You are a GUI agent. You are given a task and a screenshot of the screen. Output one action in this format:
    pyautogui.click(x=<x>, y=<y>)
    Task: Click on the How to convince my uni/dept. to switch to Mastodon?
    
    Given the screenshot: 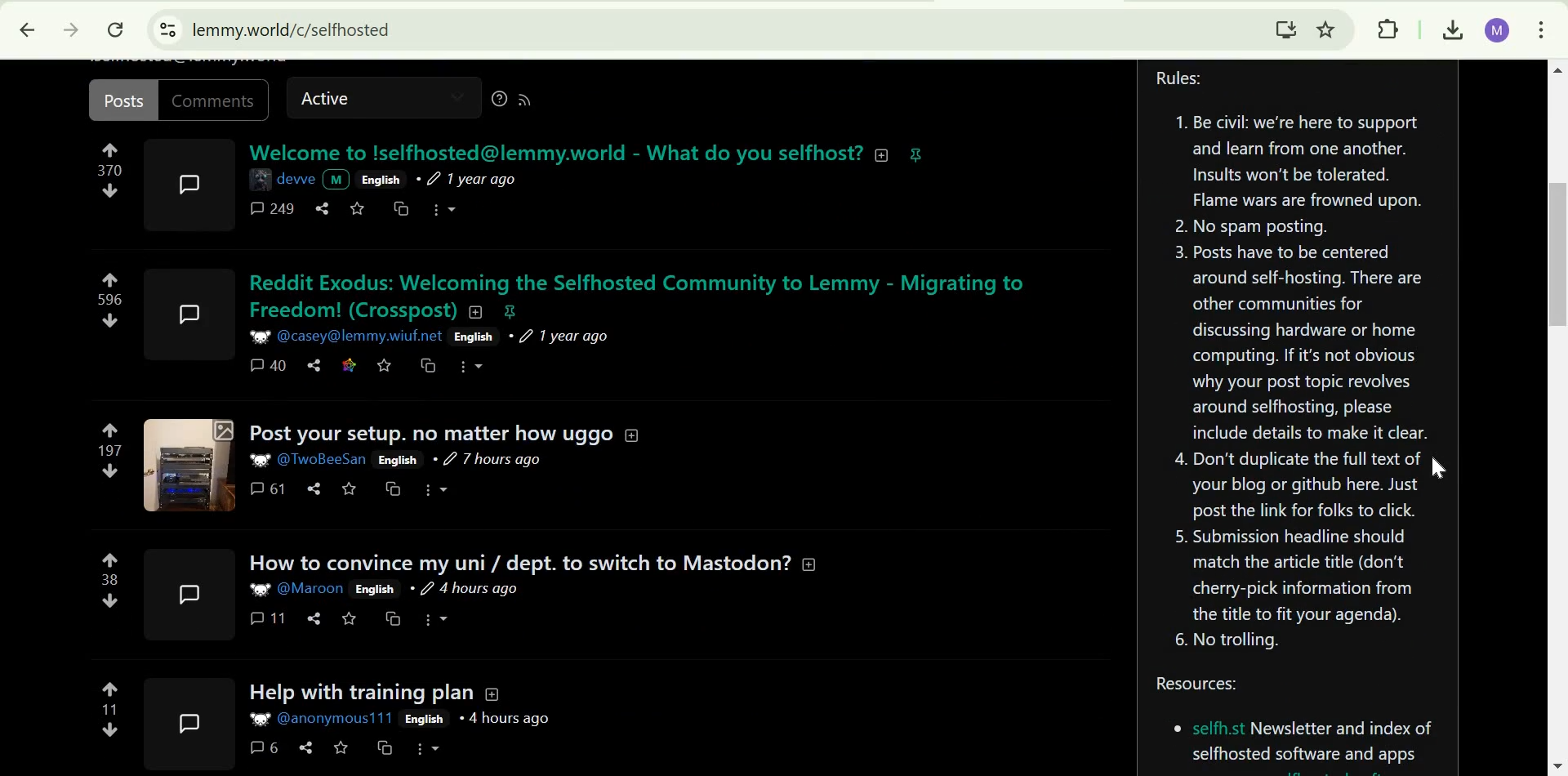 What is the action you would take?
    pyautogui.click(x=517, y=563)
    